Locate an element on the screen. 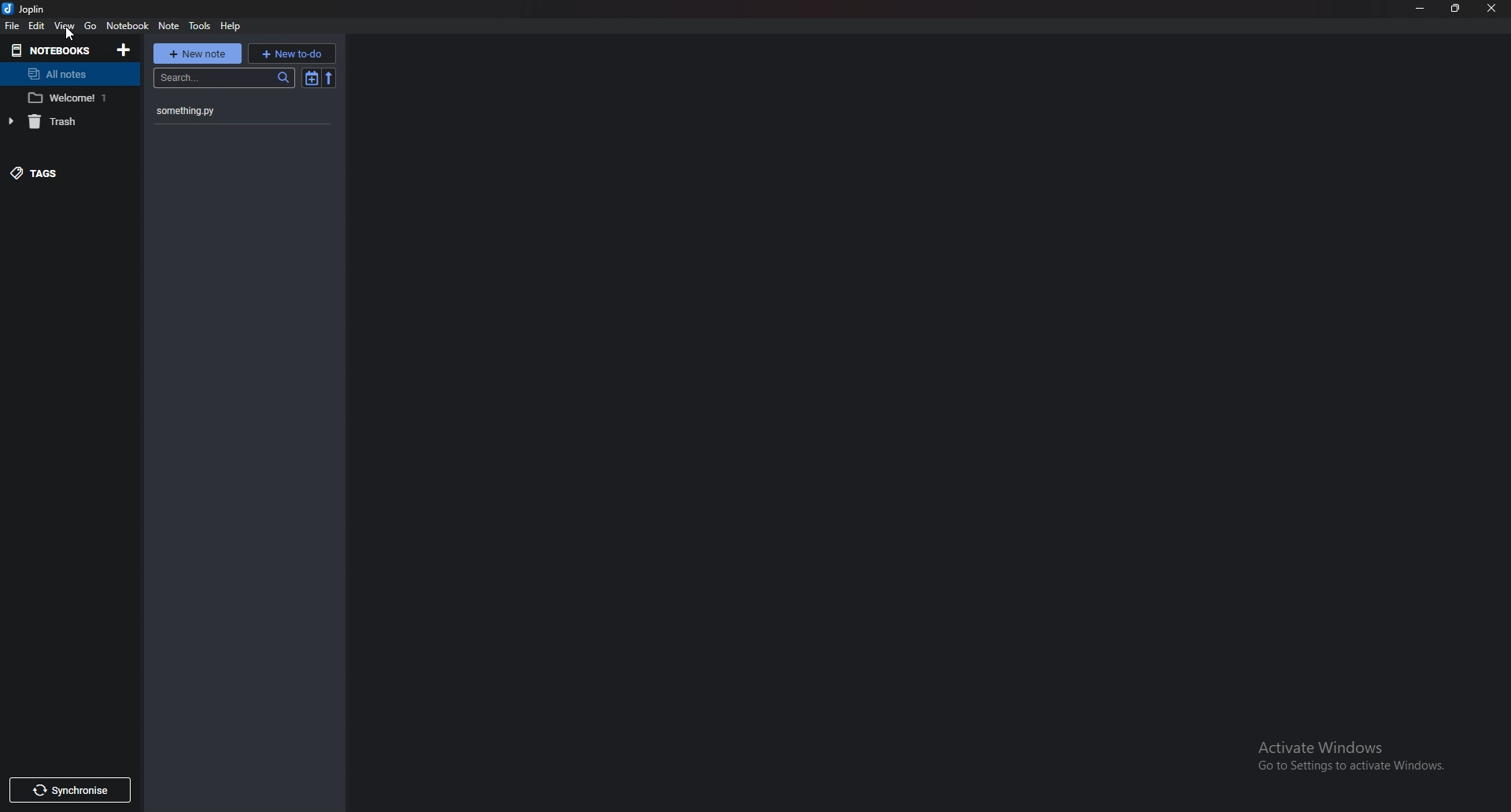 The width and height of the screenshot is (1511, 812). Minimize is located at coordinates (1418, 8).